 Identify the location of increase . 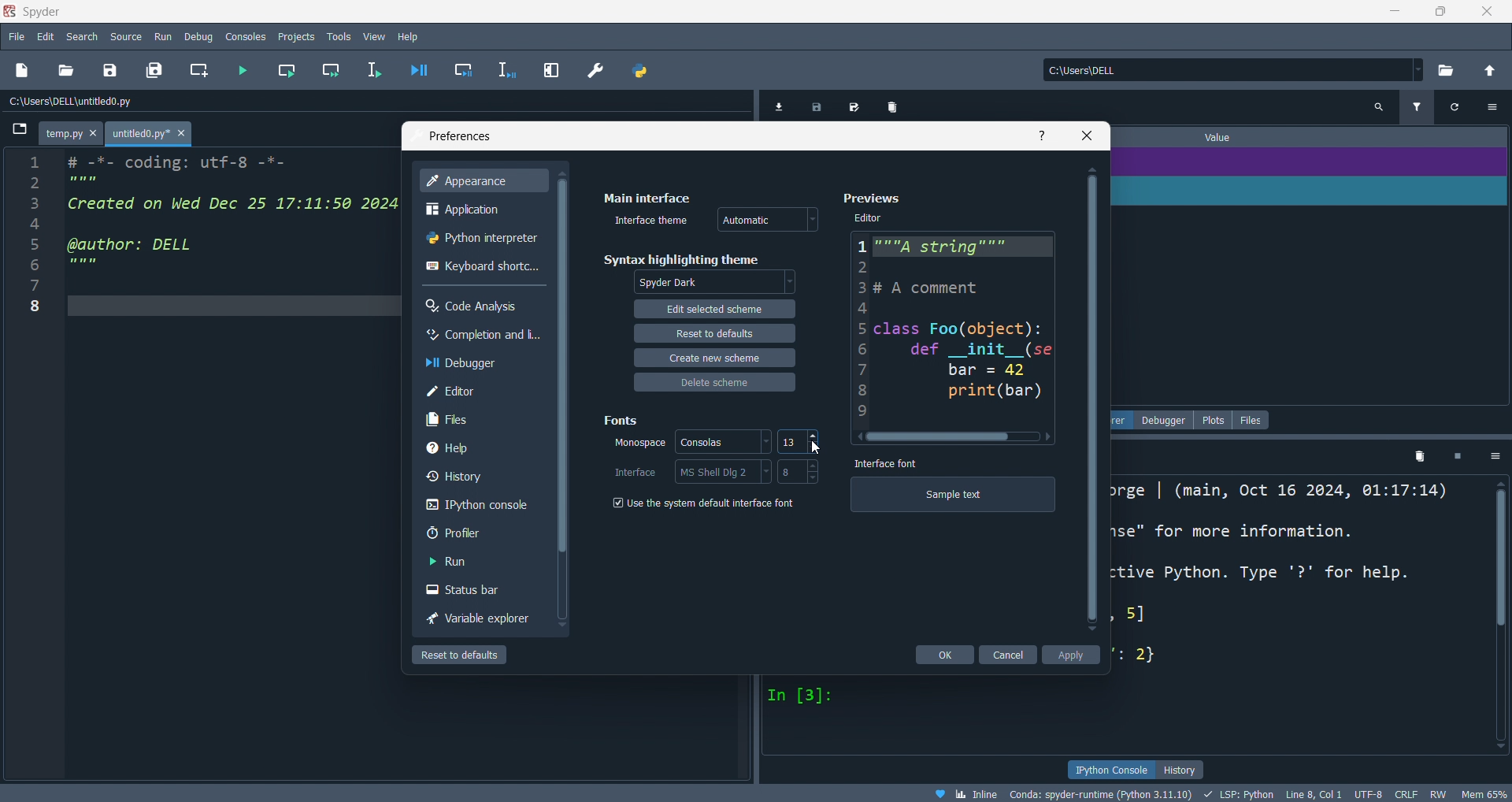
(817, 464).